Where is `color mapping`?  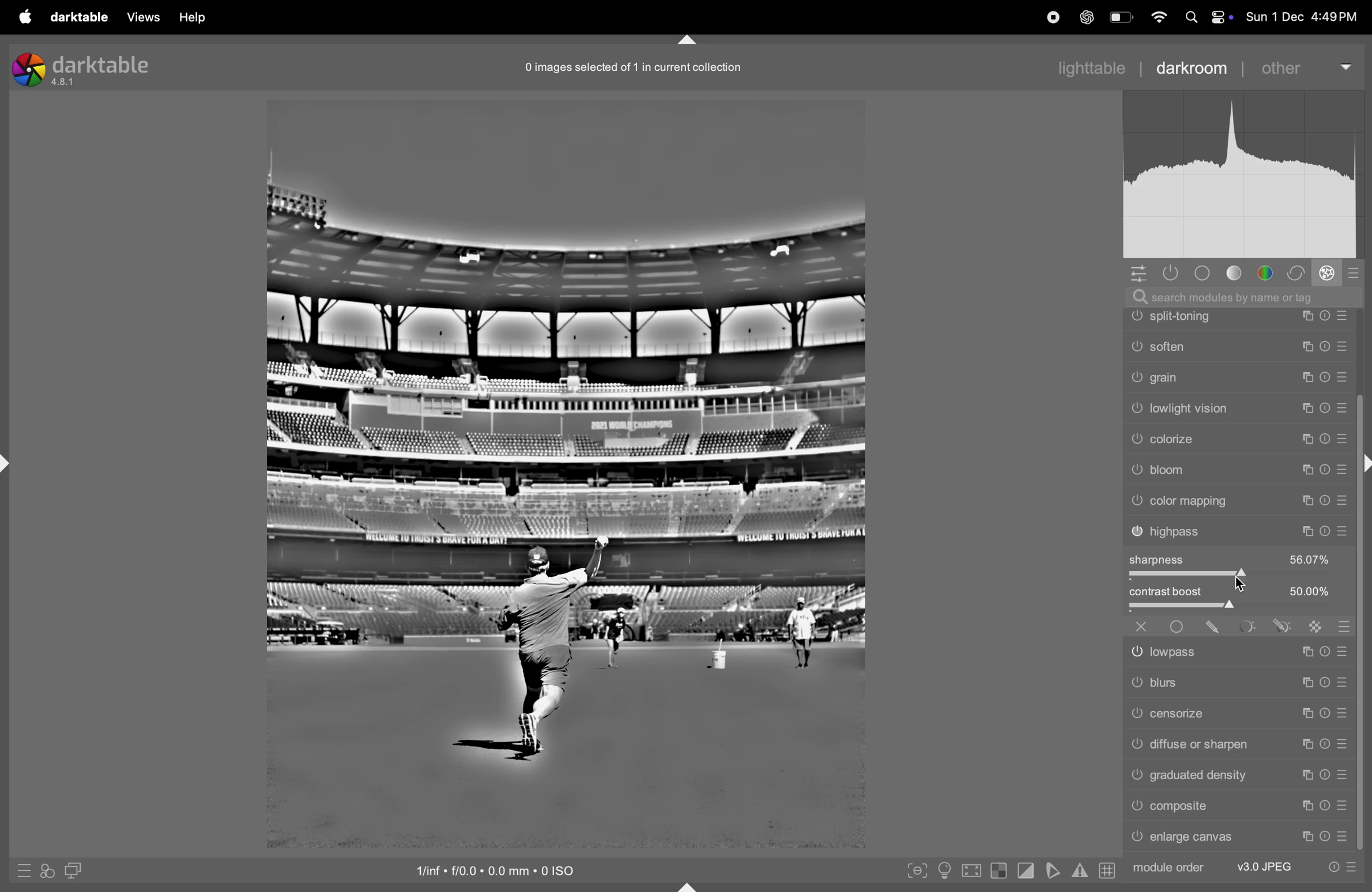 color mapping is located at coordinates (1242, 589).